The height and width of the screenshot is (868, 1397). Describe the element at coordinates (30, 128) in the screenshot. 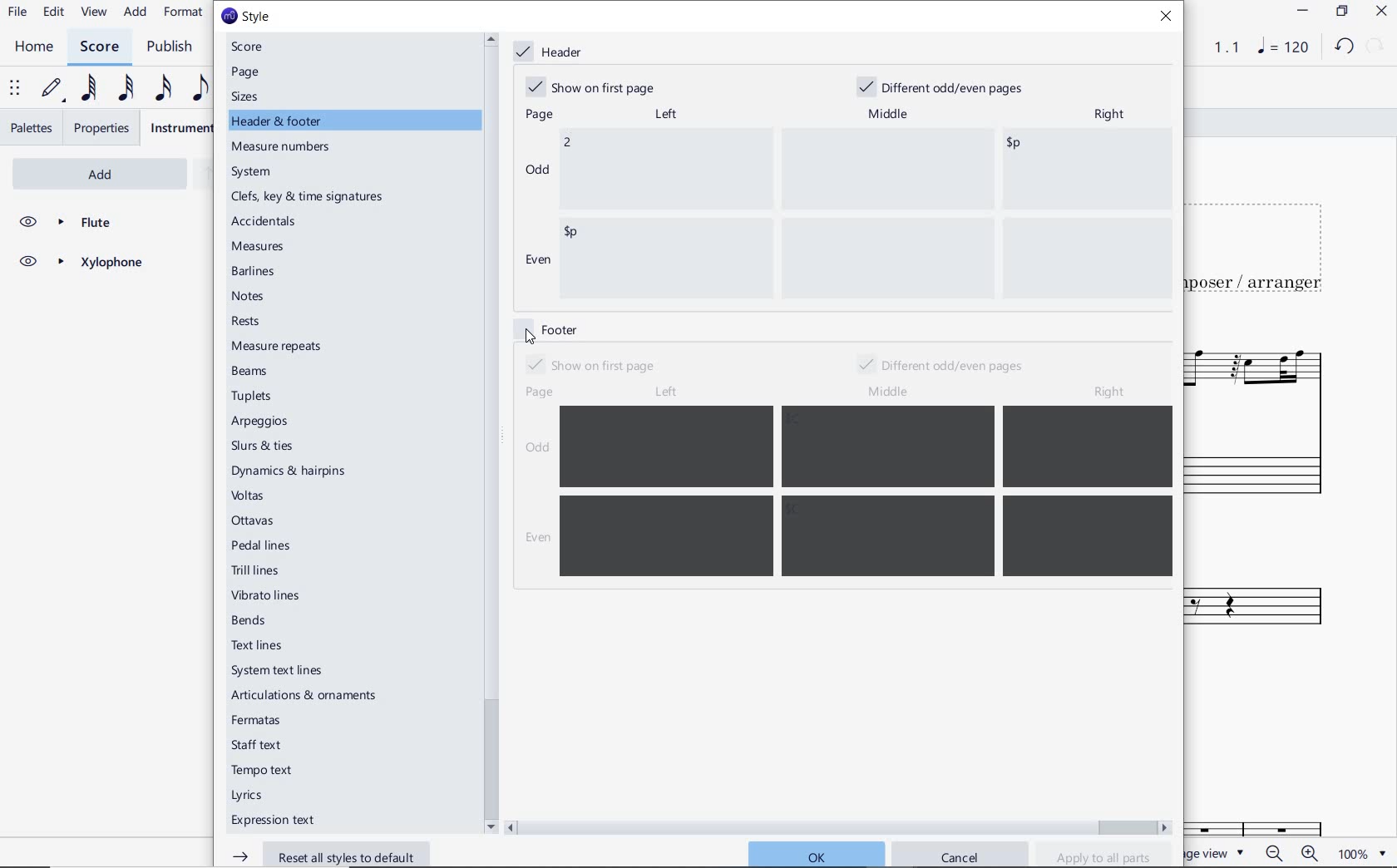

I see `PALETTES` at that location.